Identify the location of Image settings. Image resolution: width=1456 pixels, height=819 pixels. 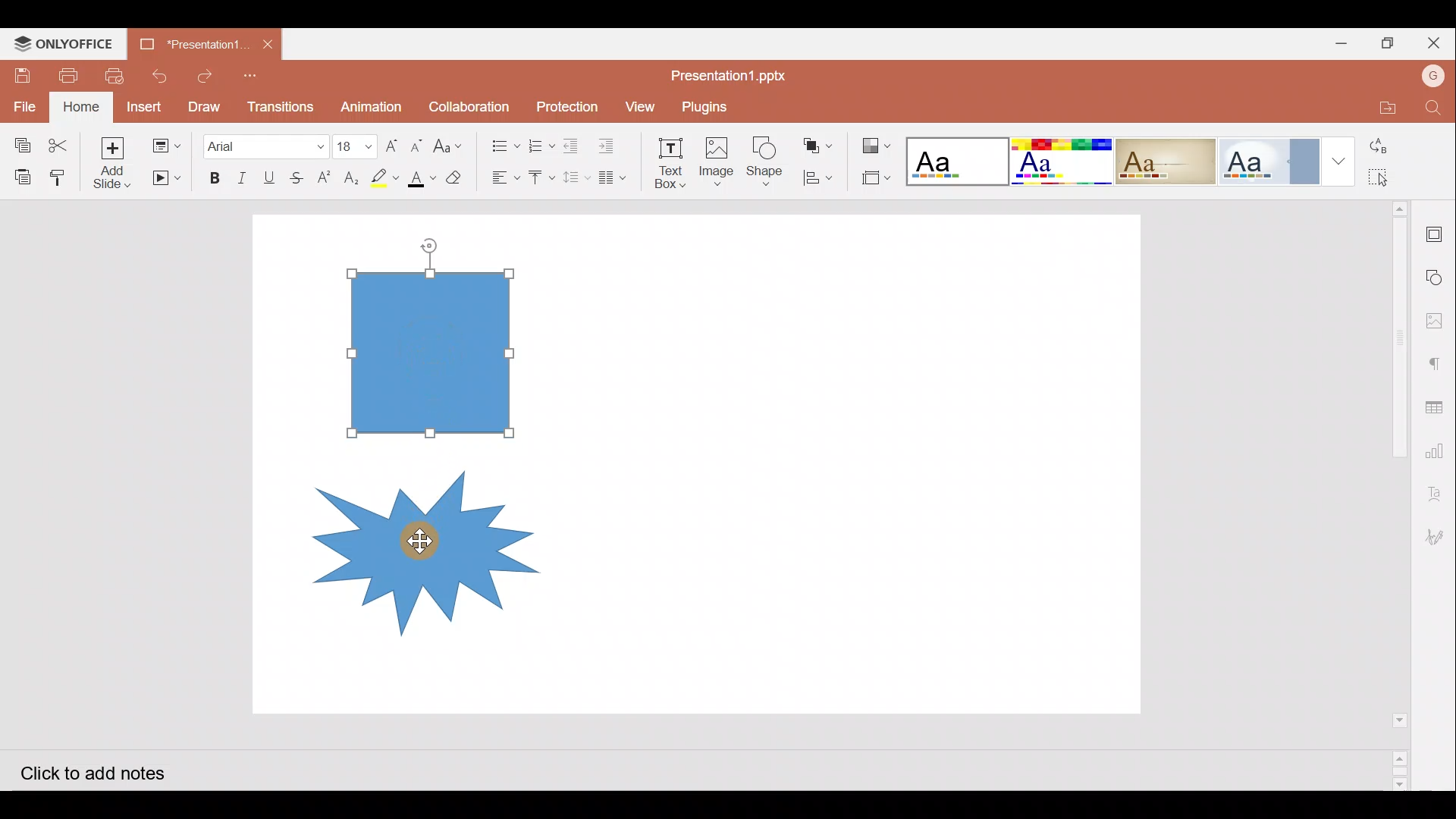
(1439, 316).